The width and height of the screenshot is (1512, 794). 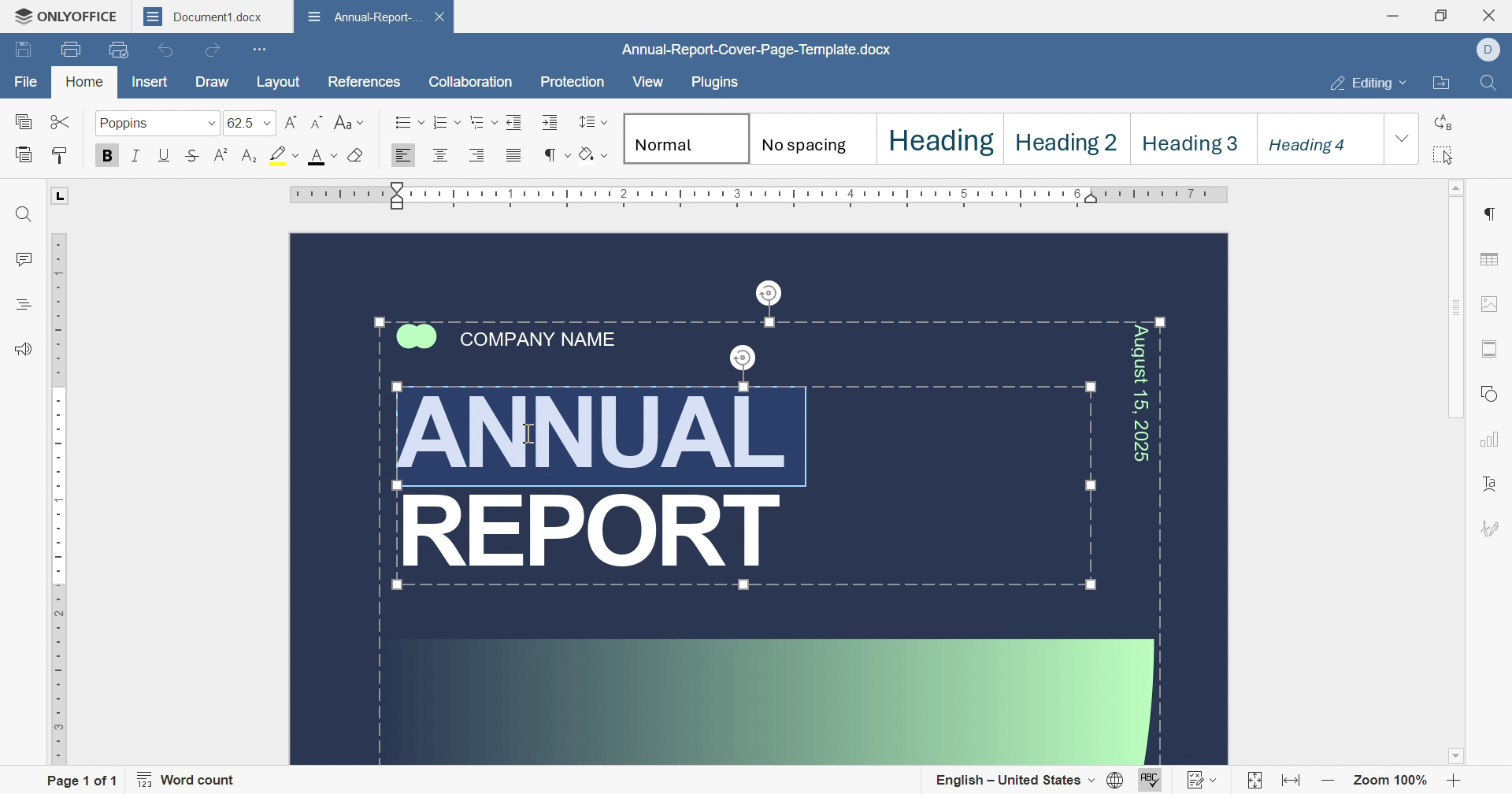 I want to click on save, so click(x=22, y=50).